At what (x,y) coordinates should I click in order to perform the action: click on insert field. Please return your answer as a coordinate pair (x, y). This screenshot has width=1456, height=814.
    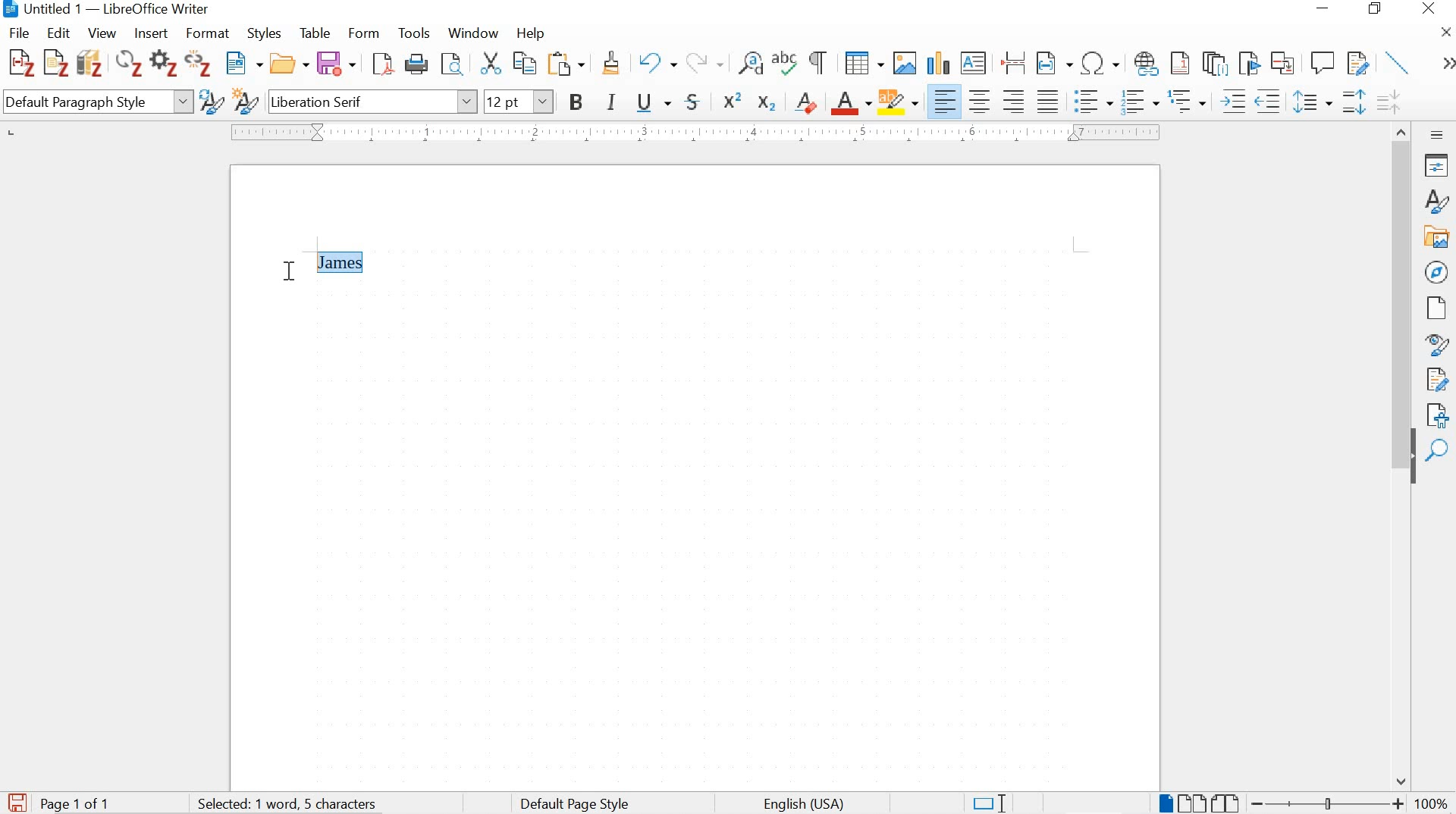
    Looking at the image, I should click on (1054, 64).